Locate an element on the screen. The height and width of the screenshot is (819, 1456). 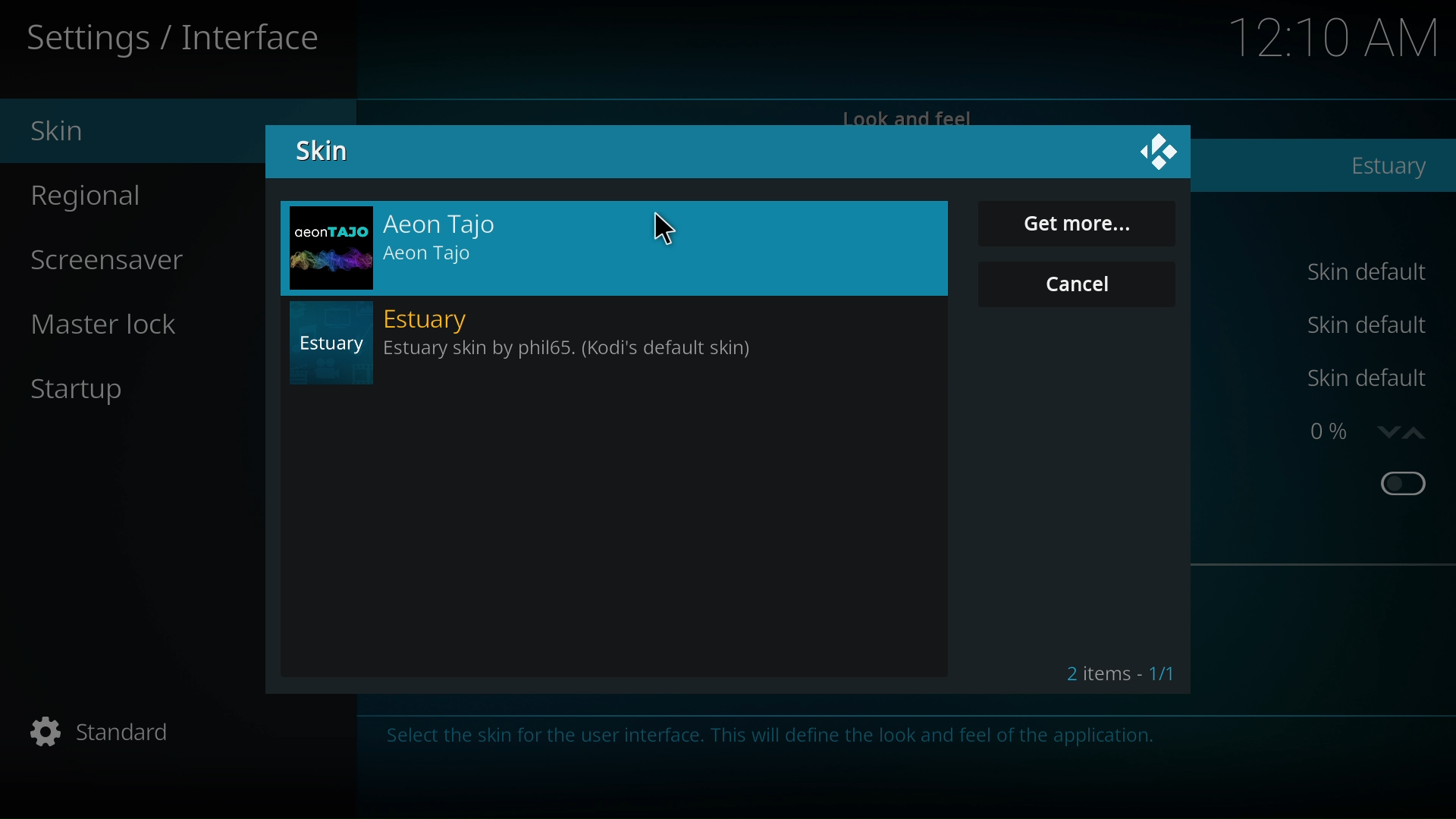
close is located at coordinates (1159, 152).